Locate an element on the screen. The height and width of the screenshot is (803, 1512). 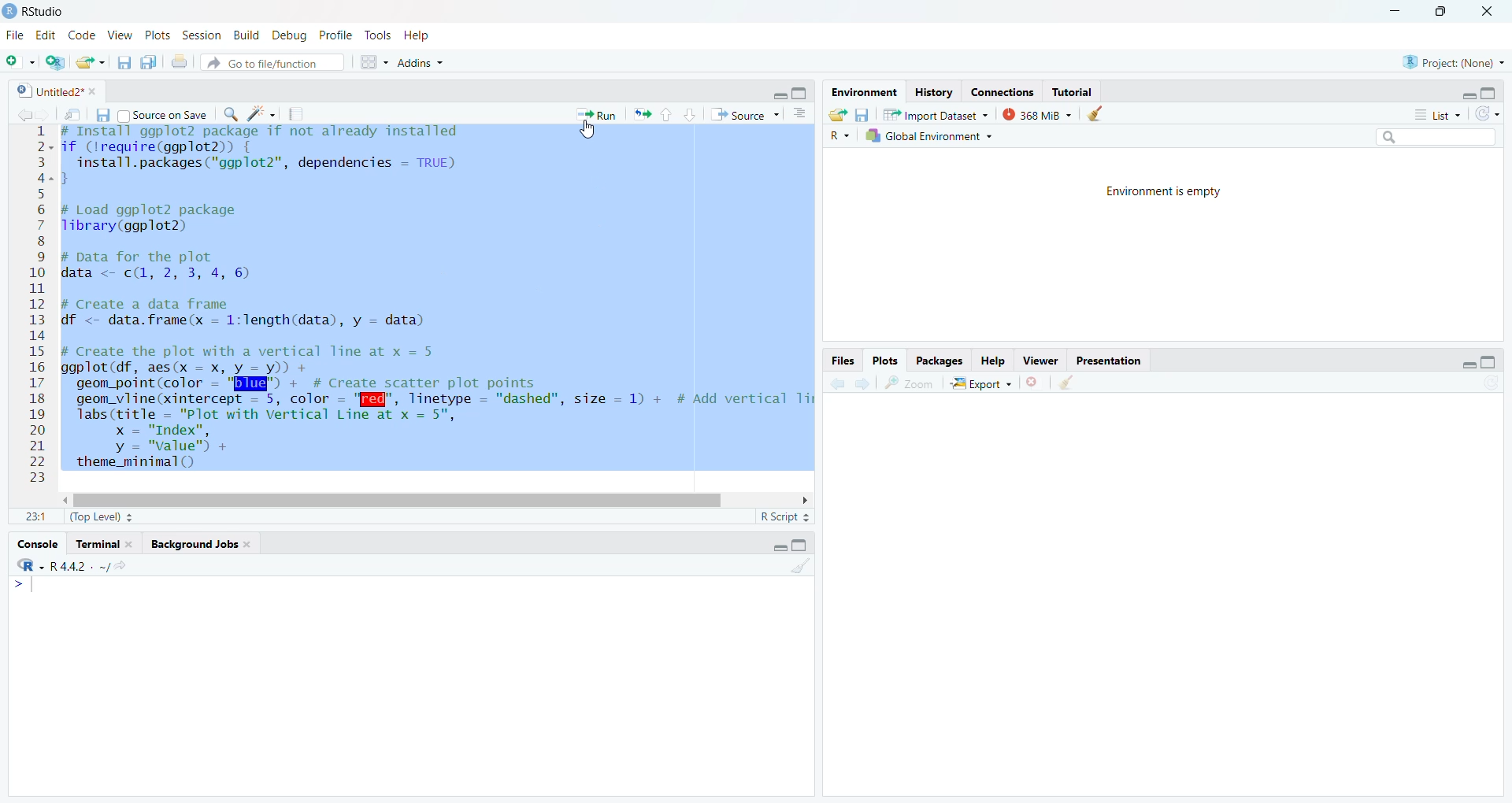
Edit is located at coordinates (45, 35).